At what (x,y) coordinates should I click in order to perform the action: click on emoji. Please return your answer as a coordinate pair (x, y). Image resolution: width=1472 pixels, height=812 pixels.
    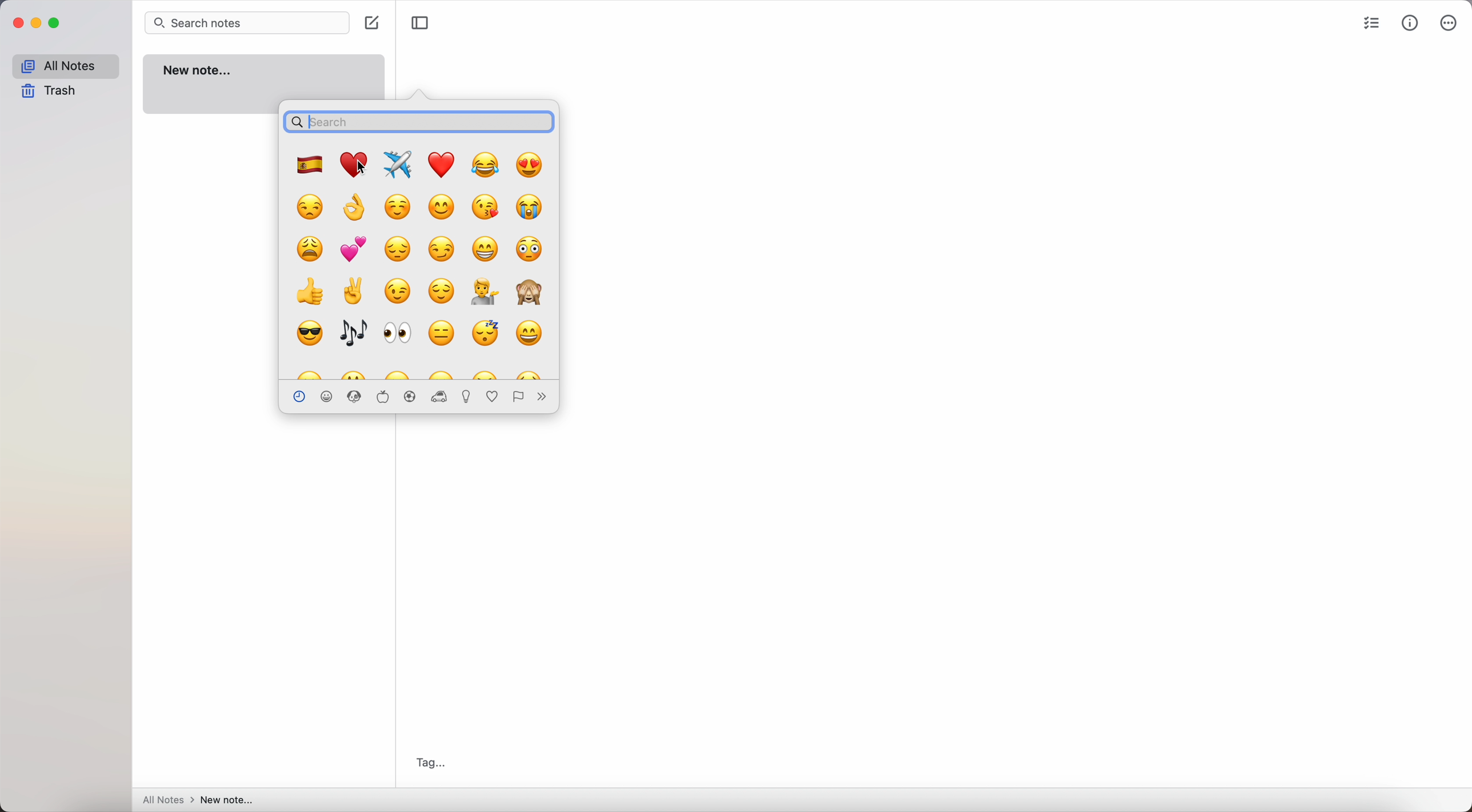
    Looking at the image, I should click on (443, 373).